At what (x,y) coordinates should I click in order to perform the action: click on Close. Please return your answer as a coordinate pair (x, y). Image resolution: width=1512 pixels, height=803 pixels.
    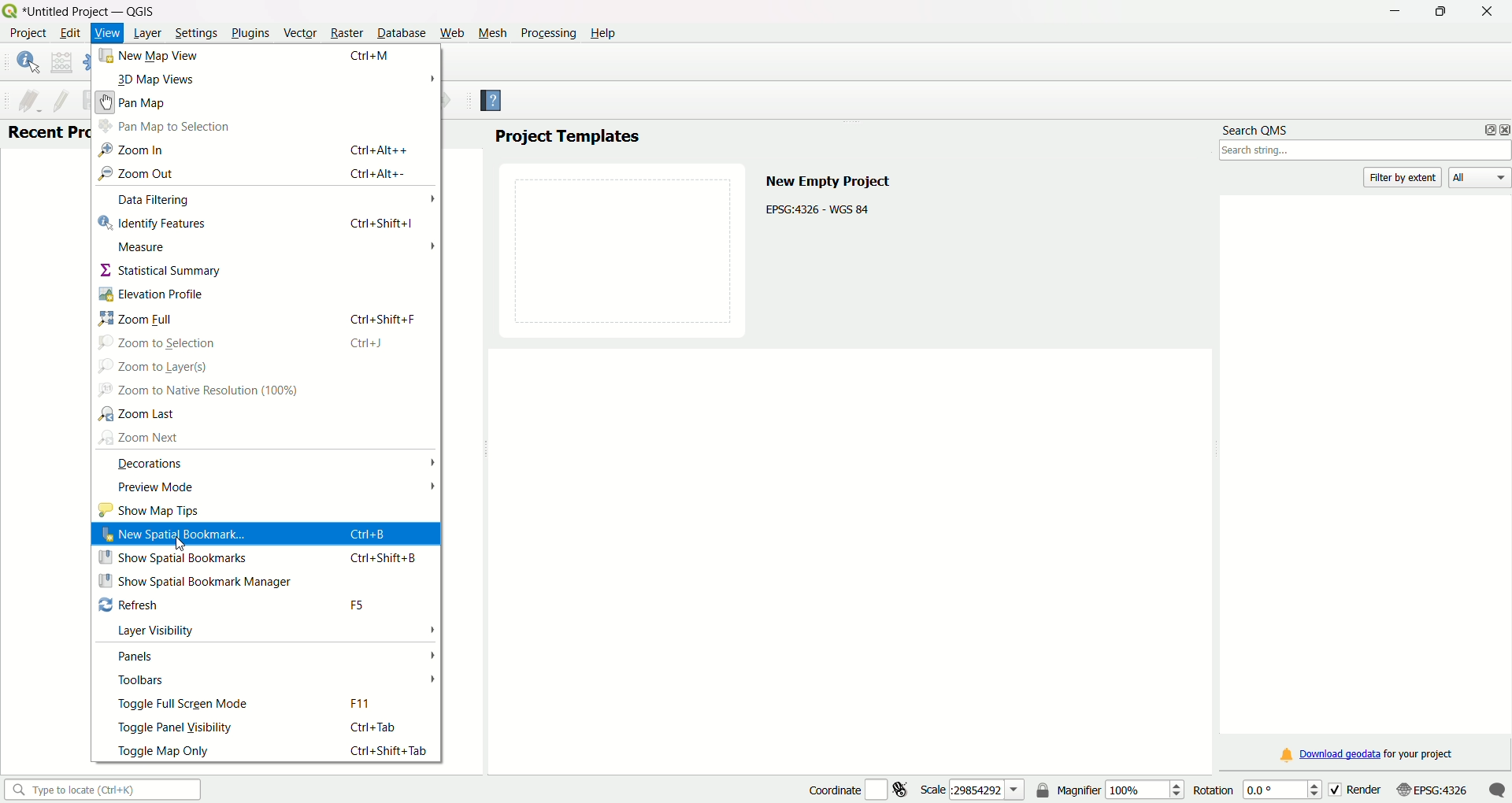
    Looking at the image, I should click on (1483, 12).